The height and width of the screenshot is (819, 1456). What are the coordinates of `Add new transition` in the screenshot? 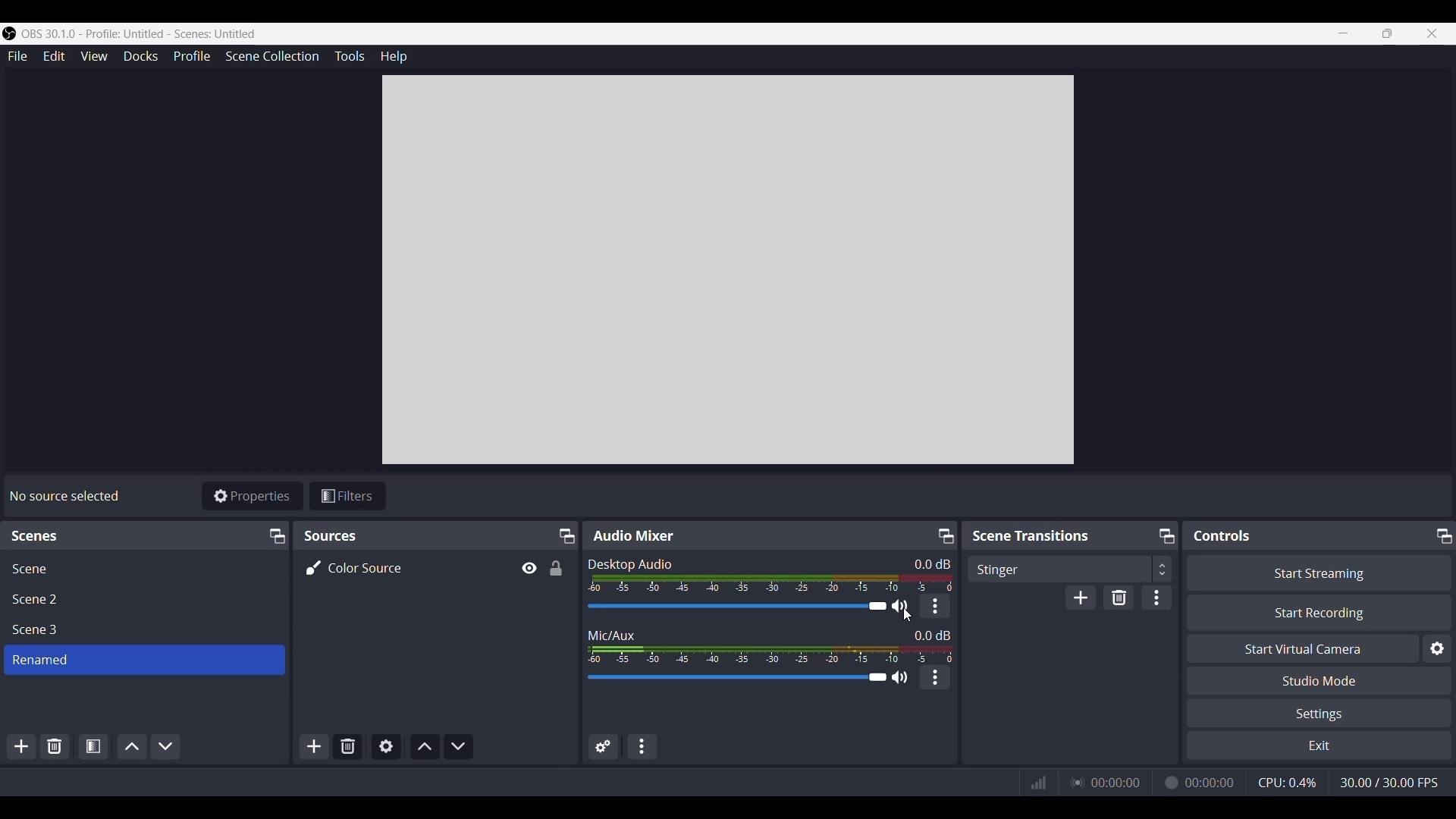 It's located at (1080, 597).